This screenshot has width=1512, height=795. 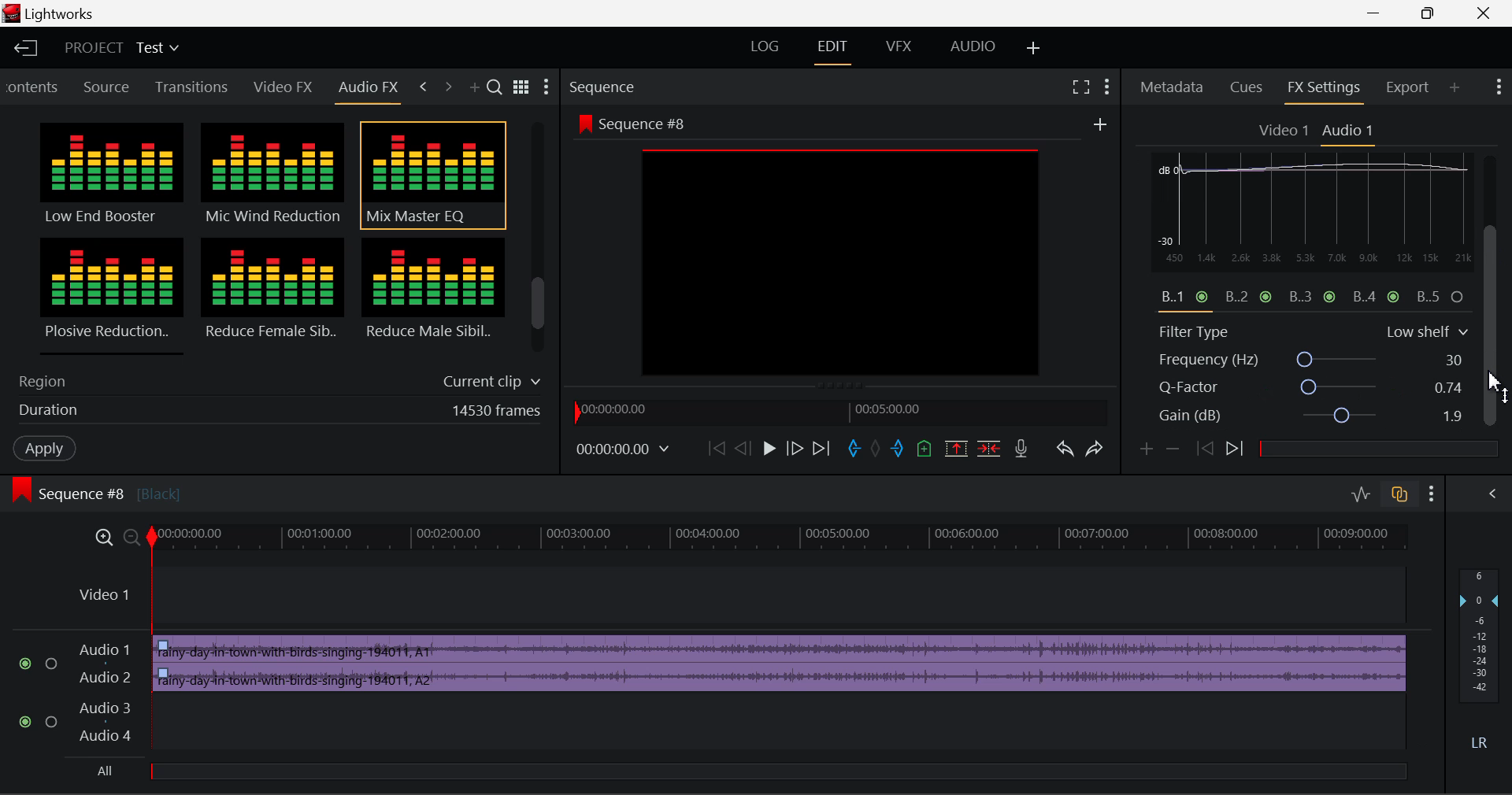 What do you see at coordinates (430, 176) in the screenshot?
I see `Mix Master EQ` at bounding box center [430, 176].